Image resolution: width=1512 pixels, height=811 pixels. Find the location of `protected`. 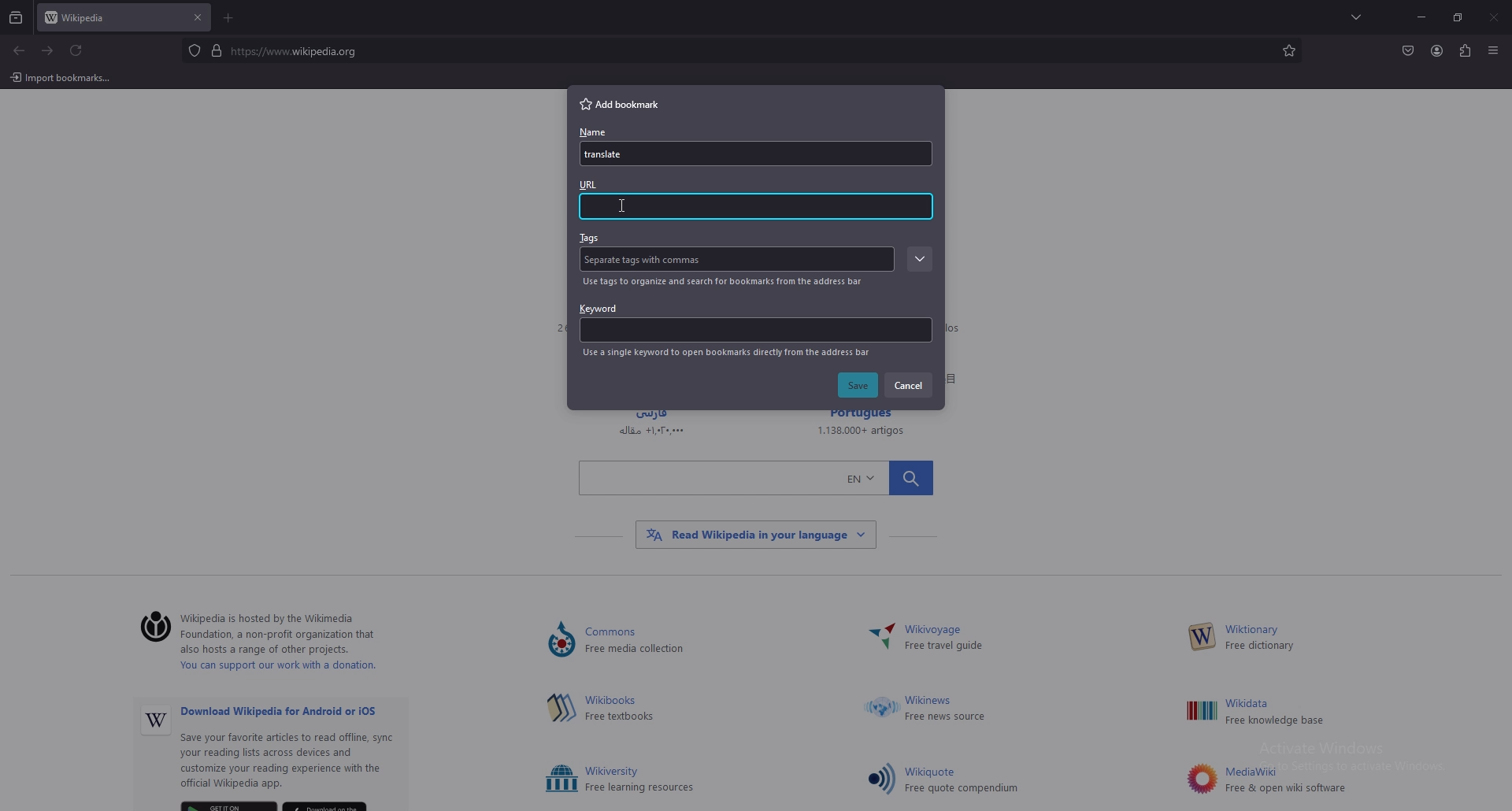

protected is located at coordinates (194, 50).